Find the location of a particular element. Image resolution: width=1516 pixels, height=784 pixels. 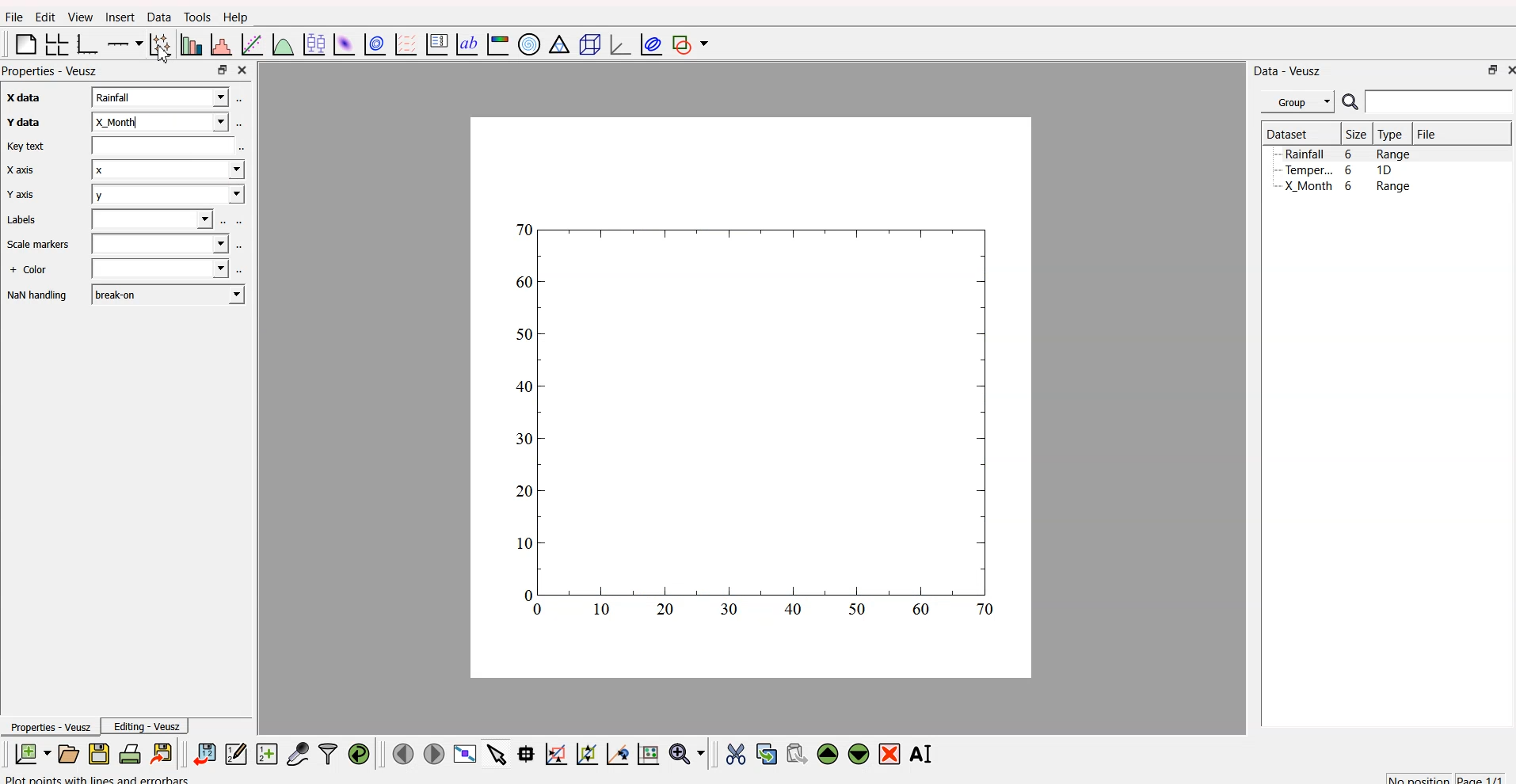

| Size is located at coordinates (1354, 135).